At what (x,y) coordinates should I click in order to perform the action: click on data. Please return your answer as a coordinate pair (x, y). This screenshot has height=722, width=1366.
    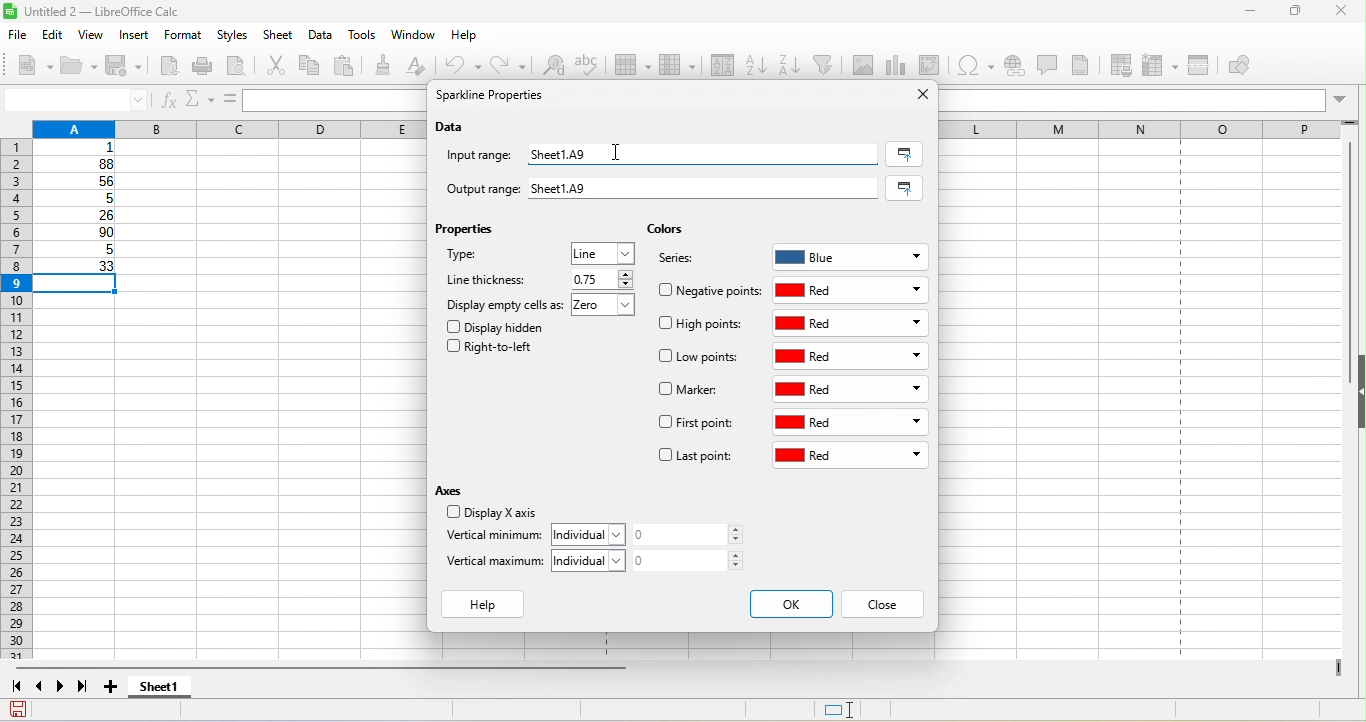
    Looking at the image, I should click on (453, 128).